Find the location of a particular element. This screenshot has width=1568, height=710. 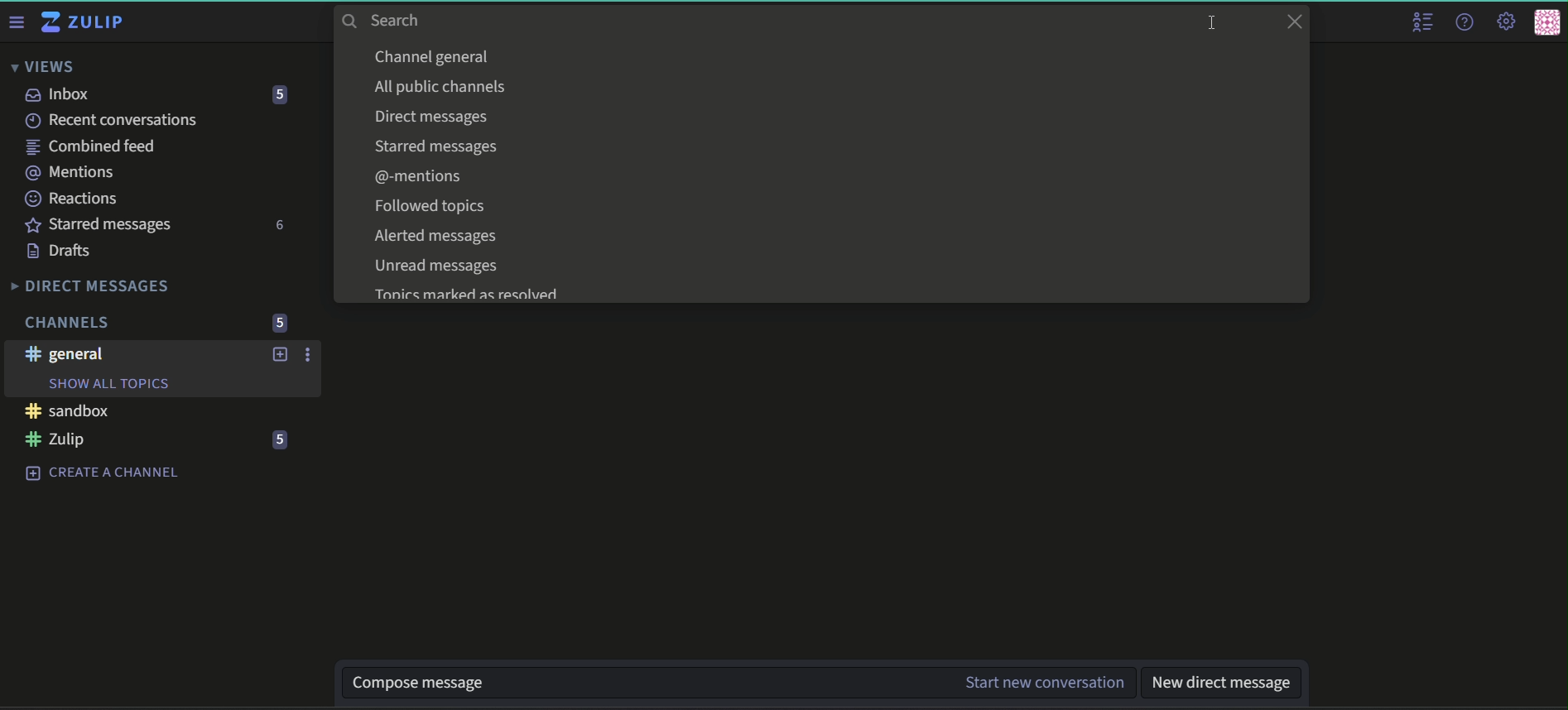

Views is located at coordinates (41, 66).